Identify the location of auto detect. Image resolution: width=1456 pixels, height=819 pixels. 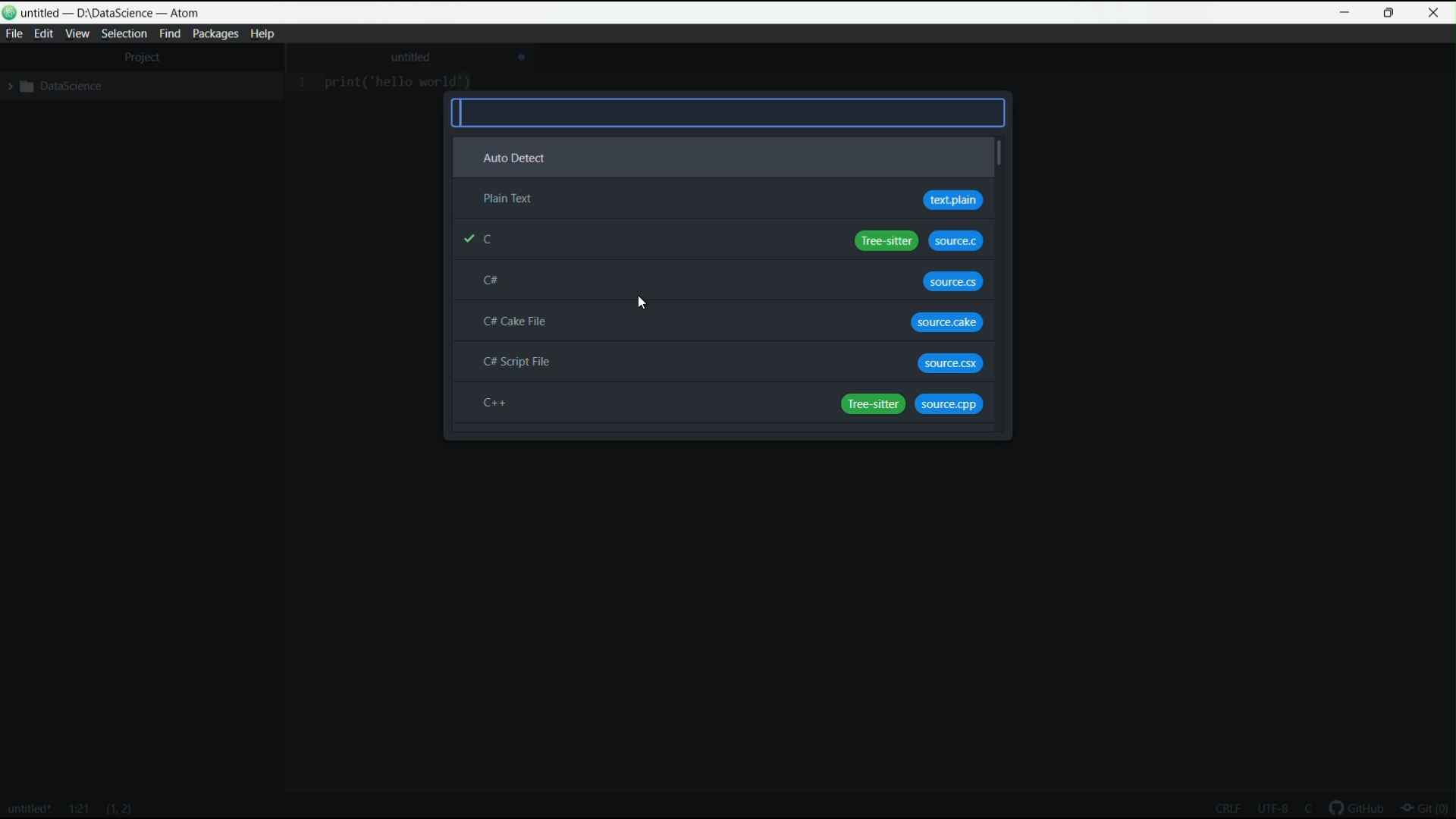
(515, 159).